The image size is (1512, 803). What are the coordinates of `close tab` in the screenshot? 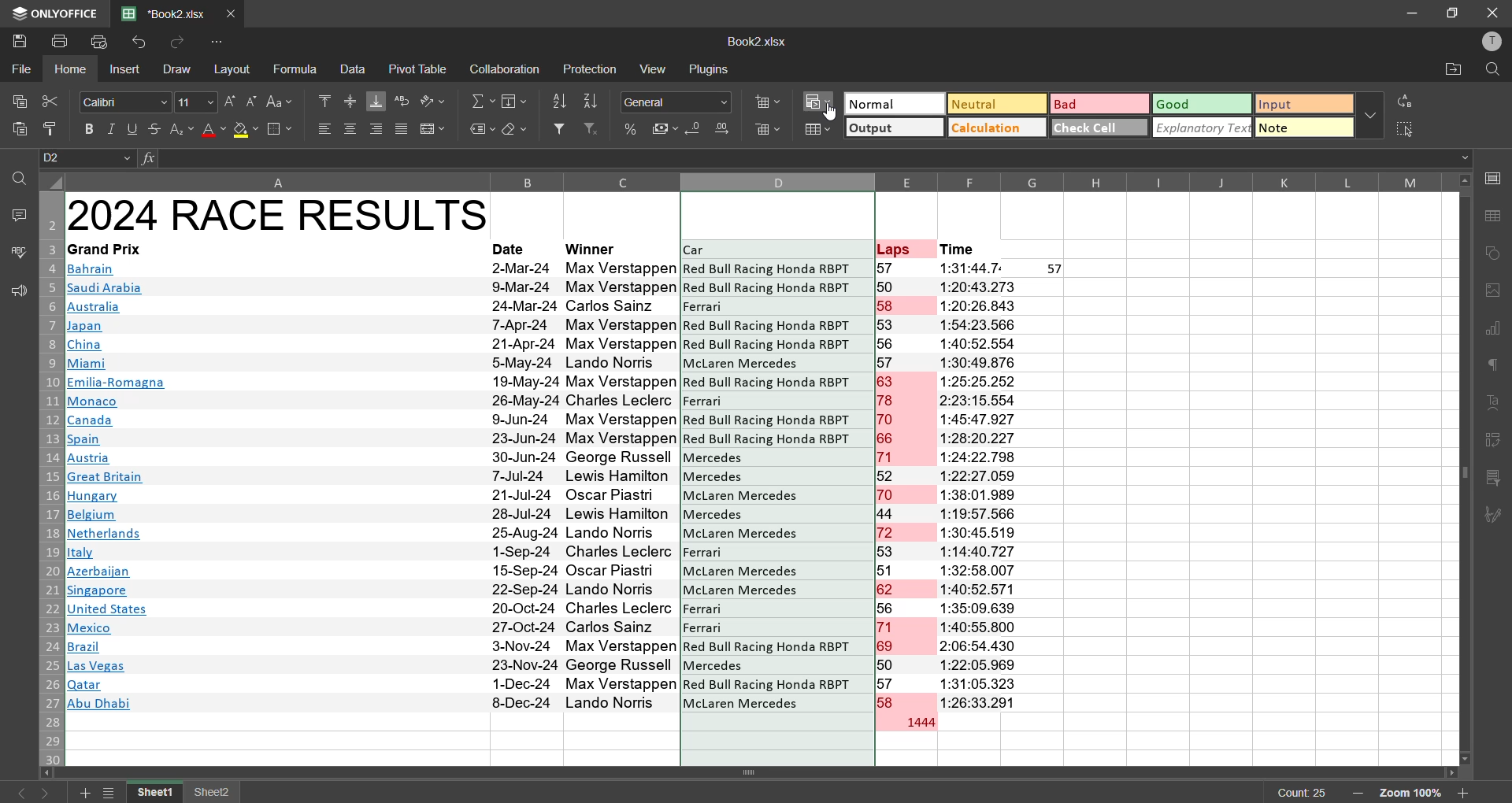 It's located at (235, 12).